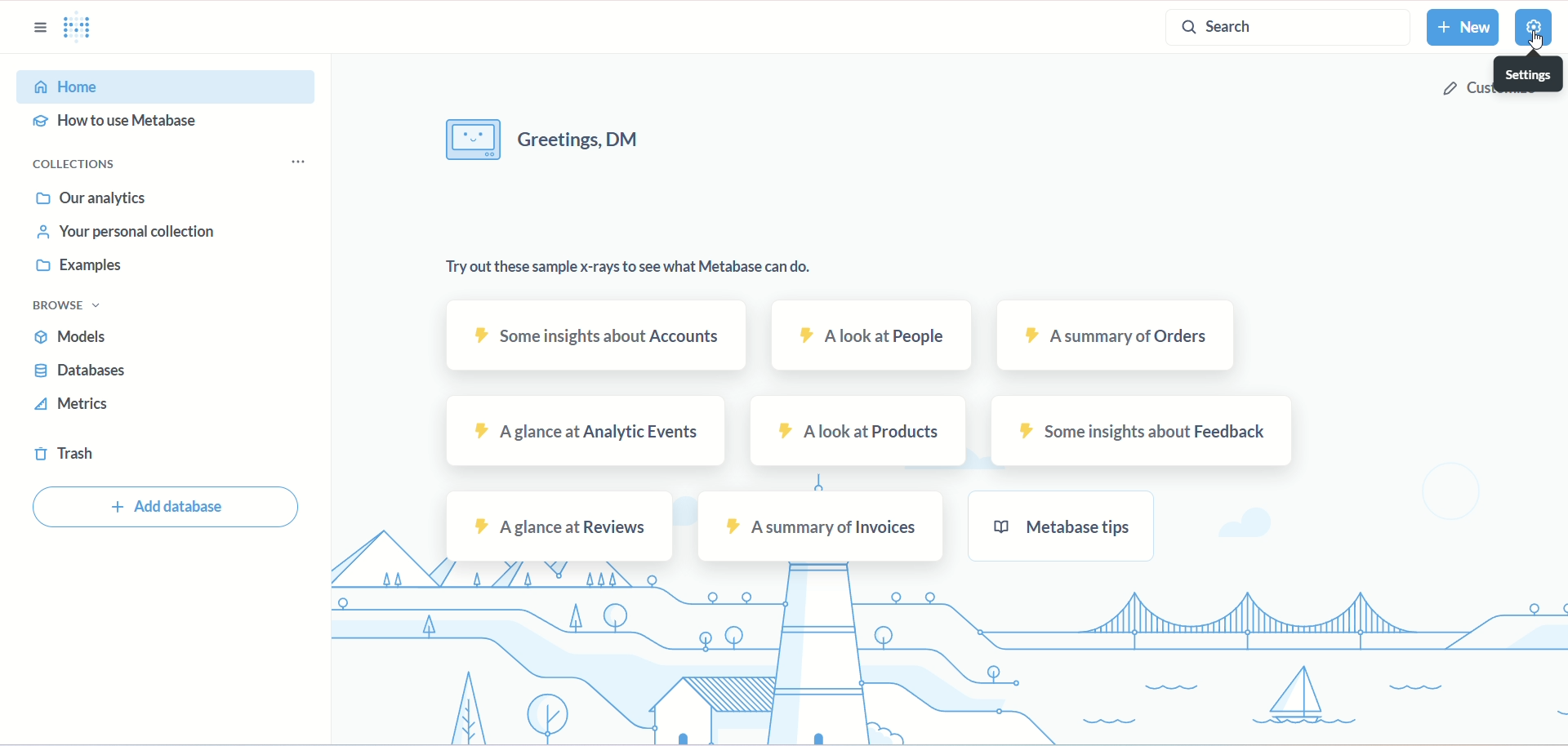  I want to click on examples, so click(84, 269).